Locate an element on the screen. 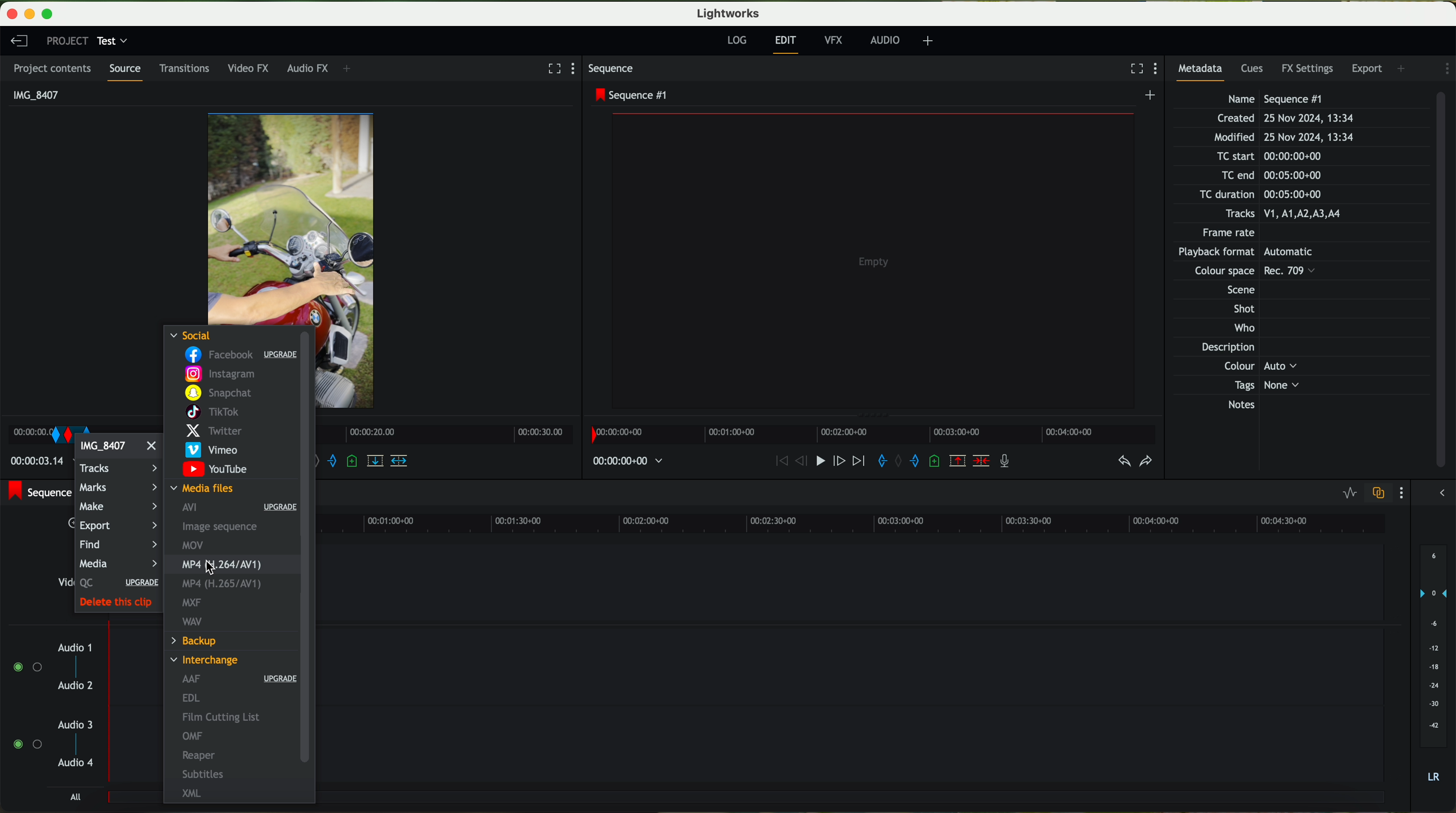  Vimeo is located at coordinates (211, 451).